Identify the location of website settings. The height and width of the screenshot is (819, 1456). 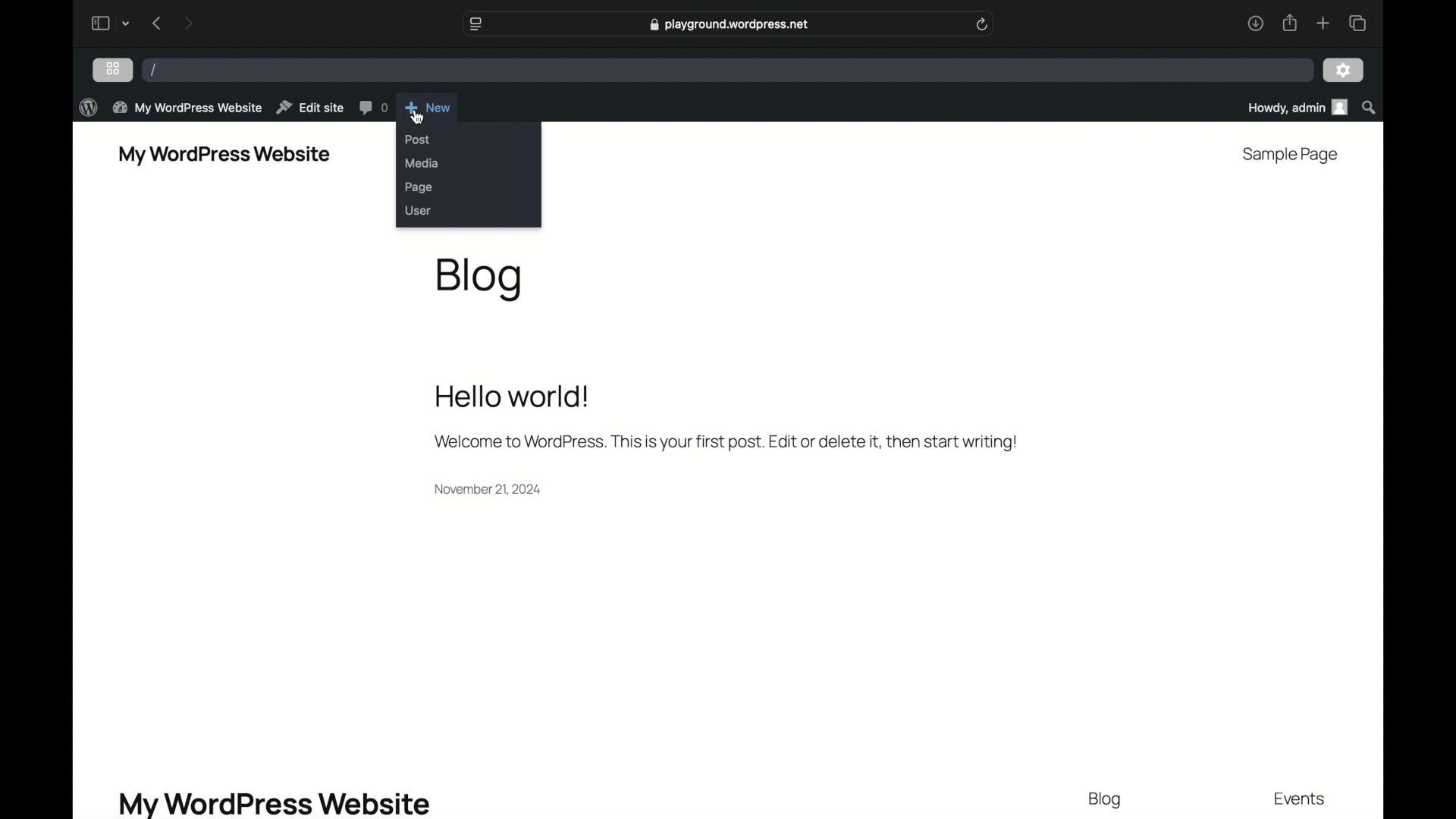
(476, 24).